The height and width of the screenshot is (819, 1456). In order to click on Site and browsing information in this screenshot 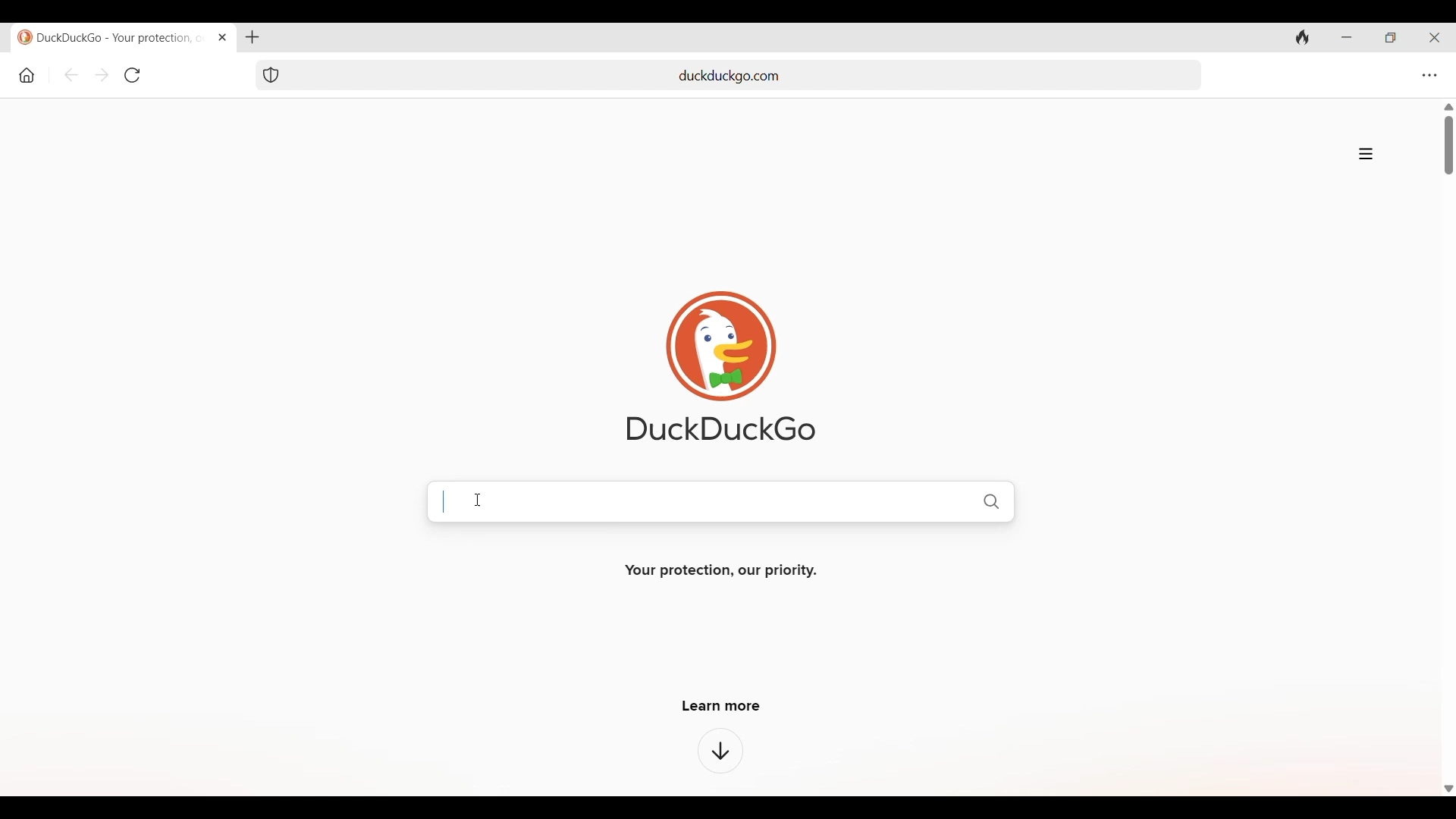, I will do `click(1366, 154)`.